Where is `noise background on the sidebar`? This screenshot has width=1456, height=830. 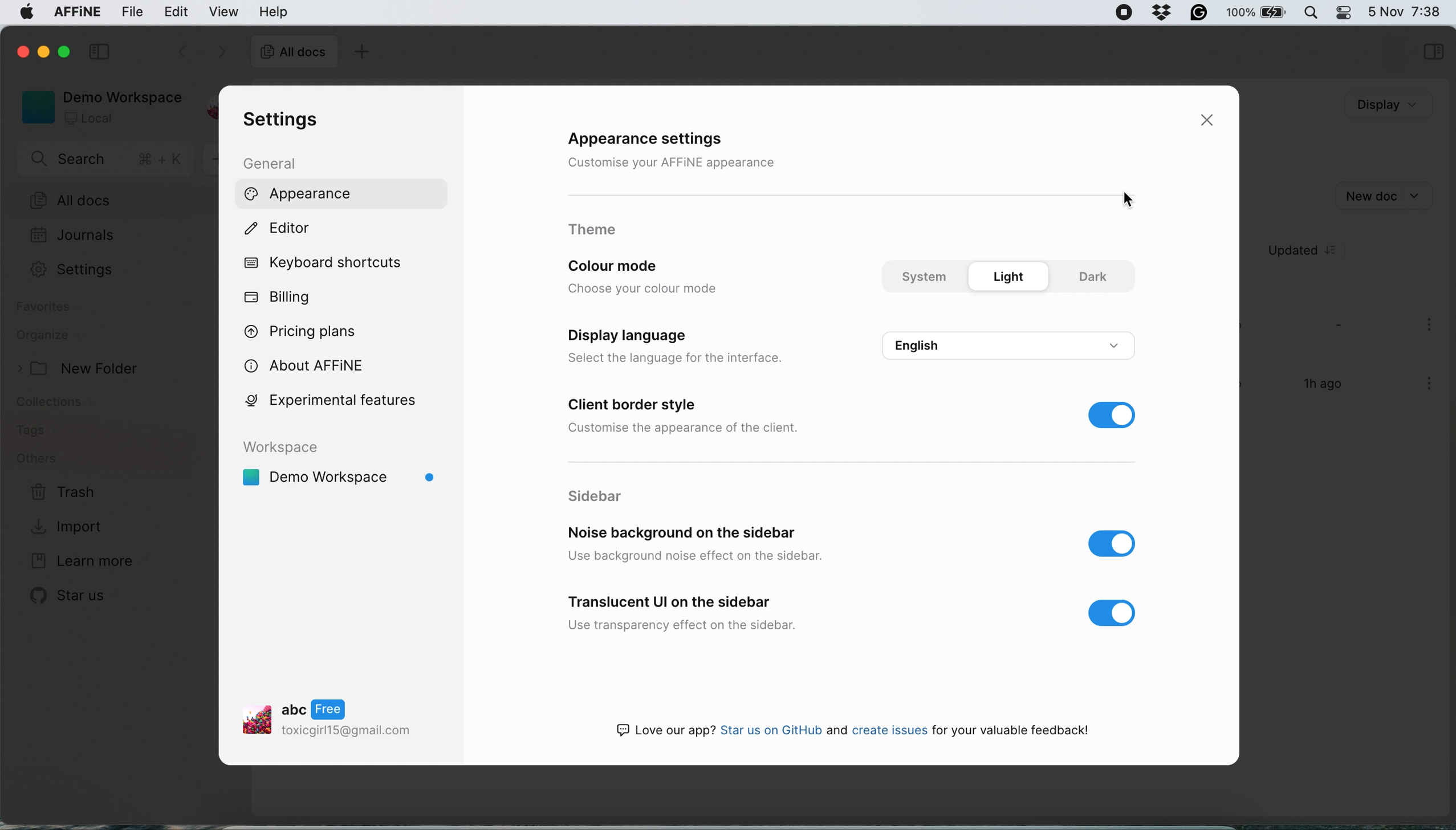
noise background on the sidebar is located at coordinates (688, 532).